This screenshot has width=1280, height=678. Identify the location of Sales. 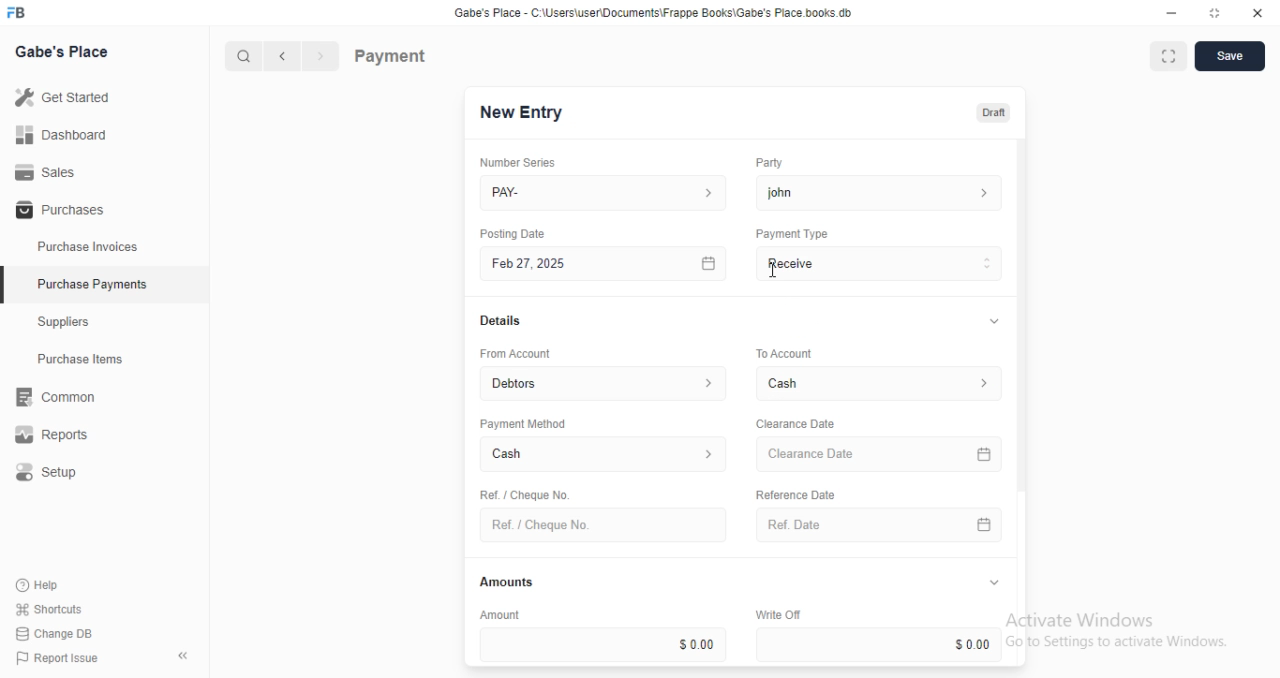
(45, 171).